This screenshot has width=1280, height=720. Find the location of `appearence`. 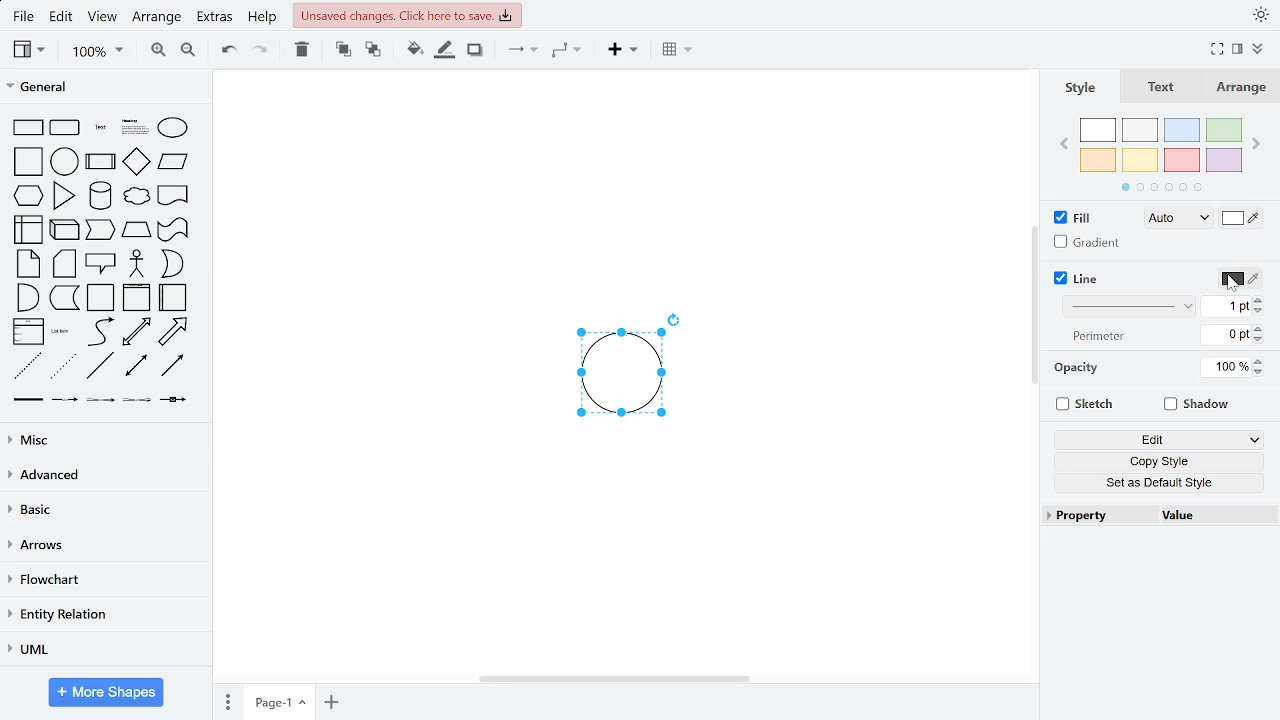

appearence is located at coordinates (1258, 16).